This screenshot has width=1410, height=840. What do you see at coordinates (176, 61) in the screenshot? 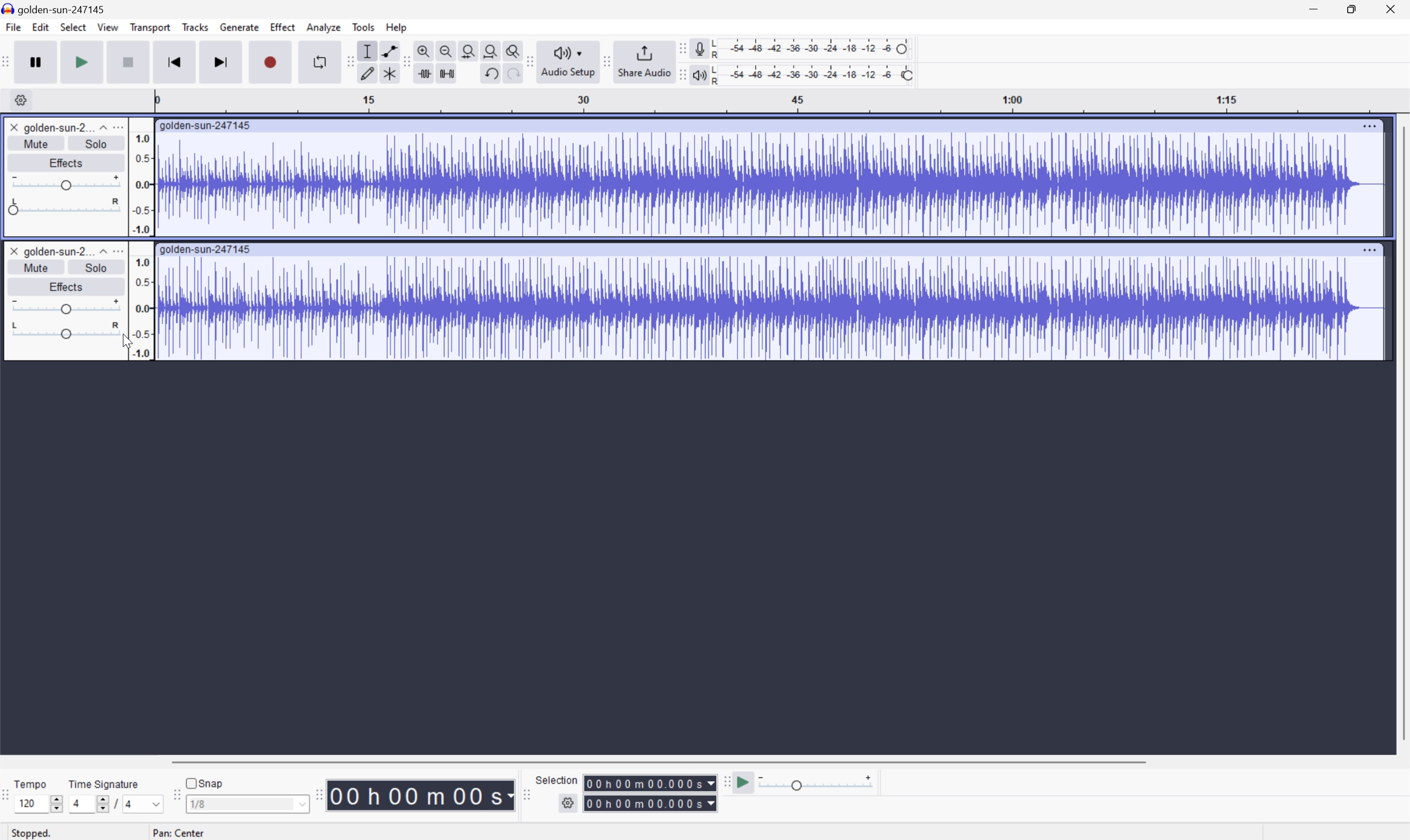
I see `Skip to start` at bounding box center [176, 61].